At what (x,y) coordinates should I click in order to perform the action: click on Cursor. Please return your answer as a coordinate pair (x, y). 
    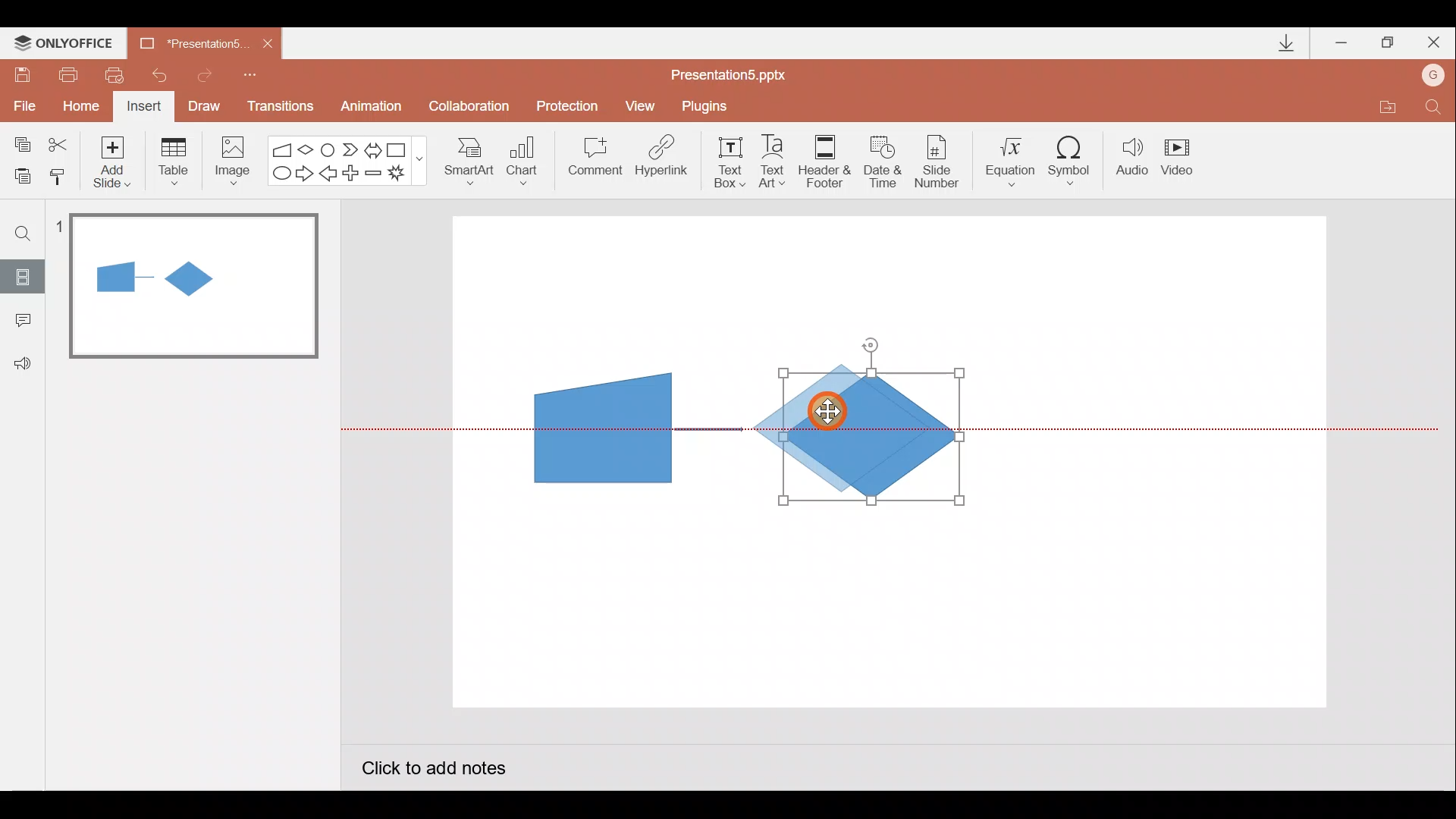
    Looking at the image, I should click on (832, 415).